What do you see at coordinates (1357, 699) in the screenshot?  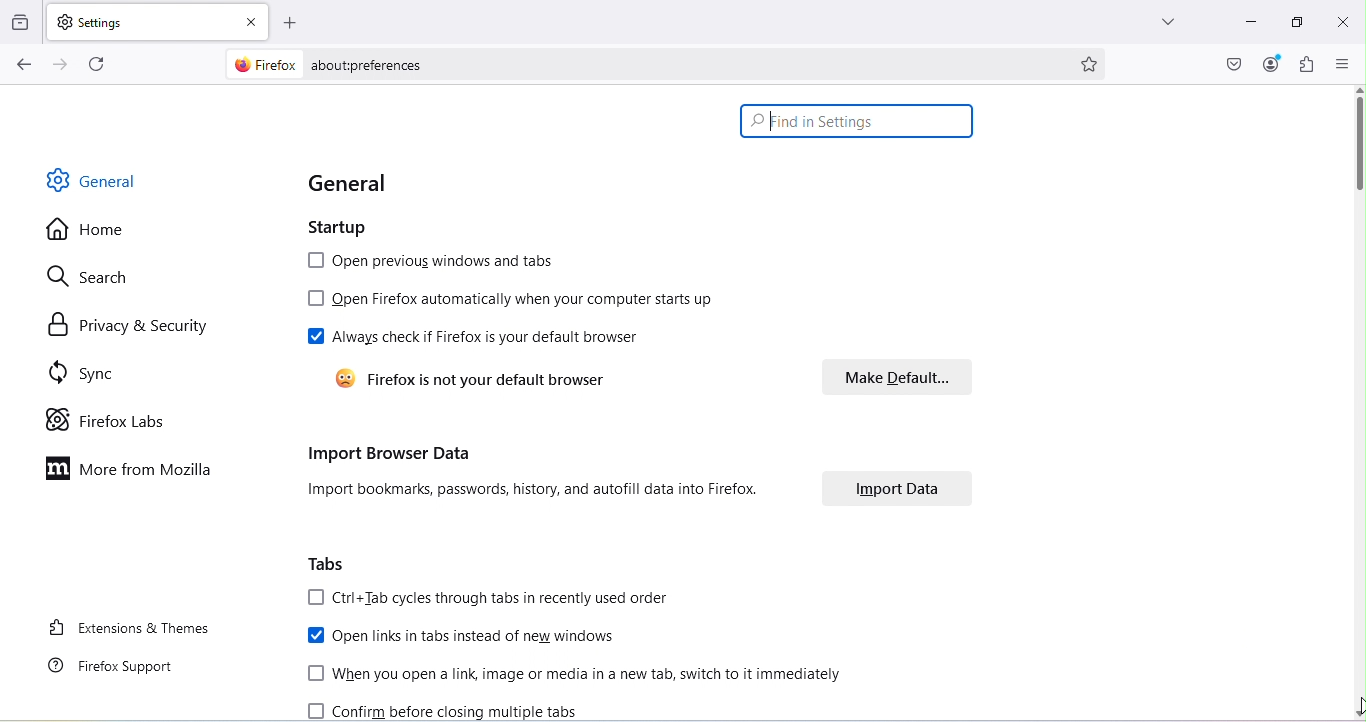 I see `cursor` at bounding box center [1357, 699].